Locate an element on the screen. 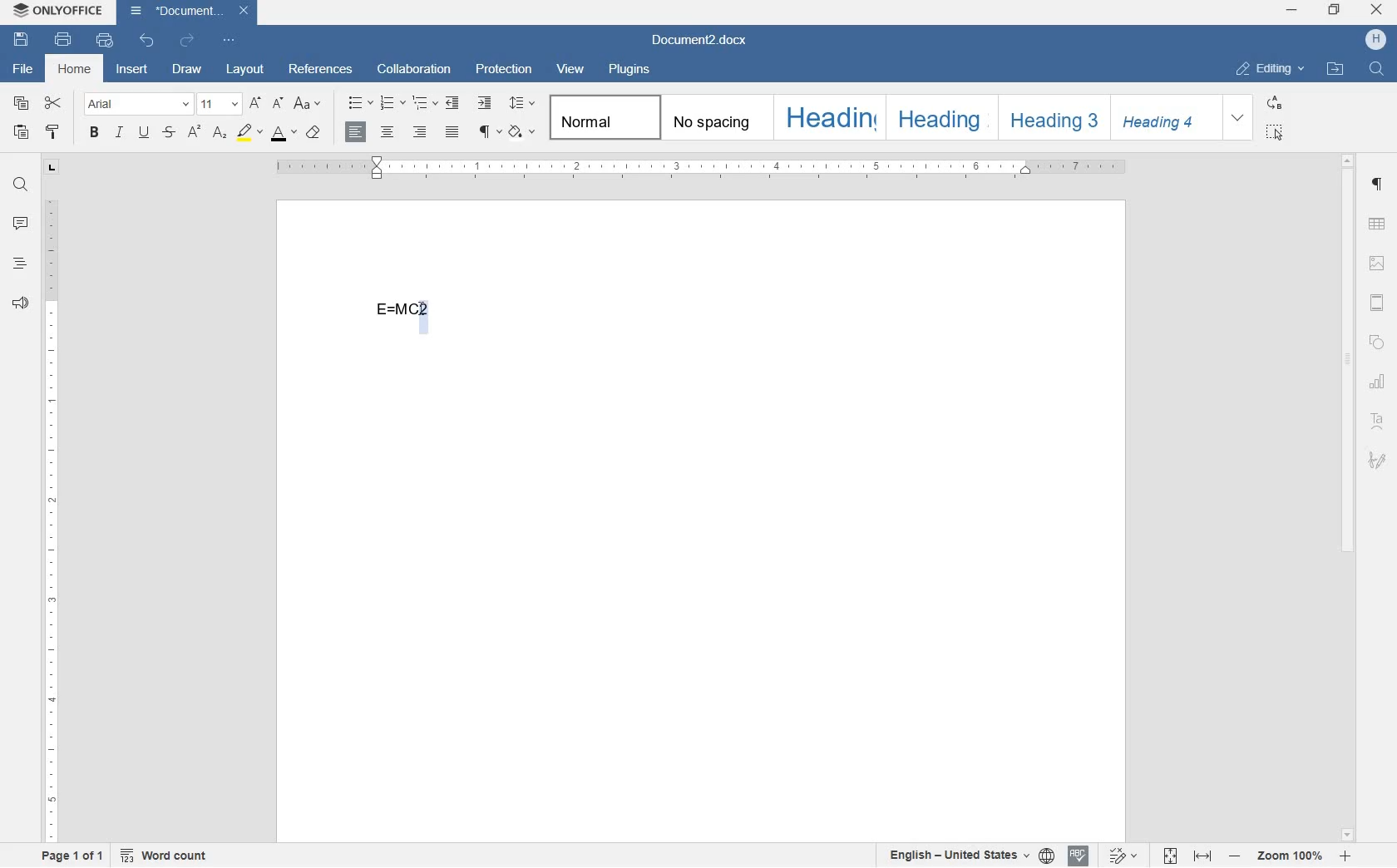 The width and height of the screenshot is (1397, 868). change case is located at coordinates (308, 104).